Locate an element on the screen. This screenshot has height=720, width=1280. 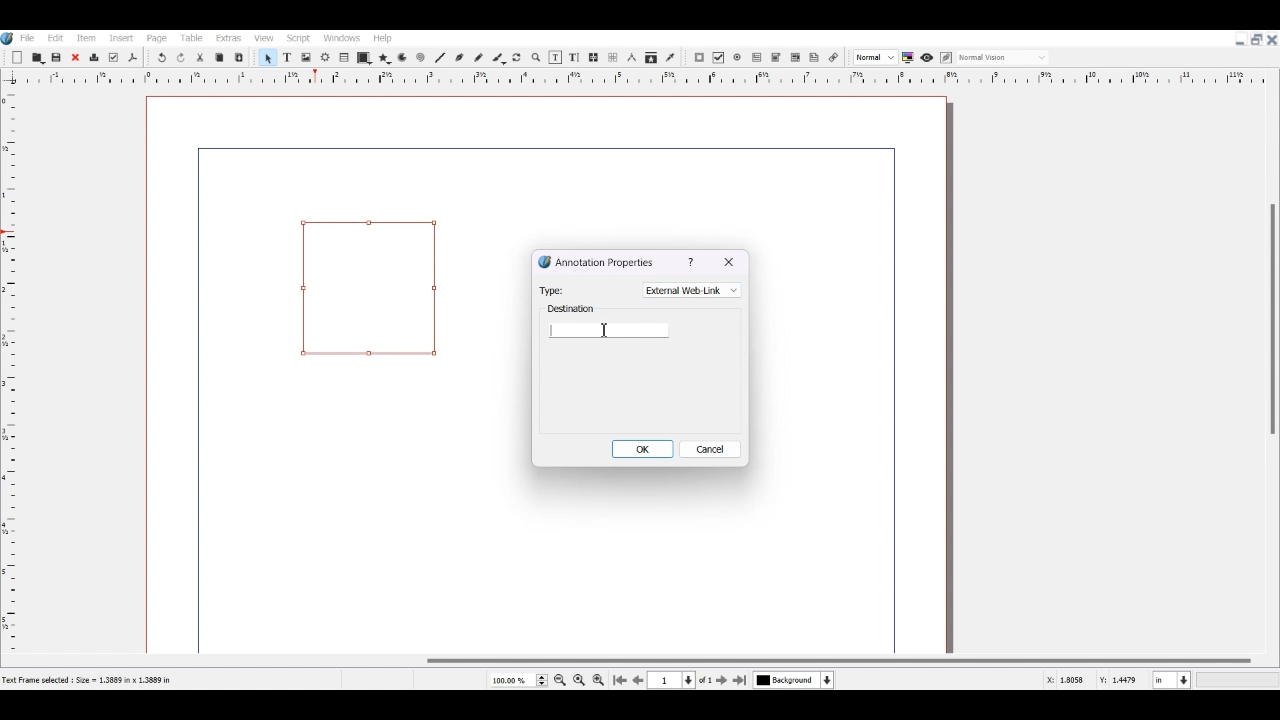
Item is located at coordinates (84, 38).